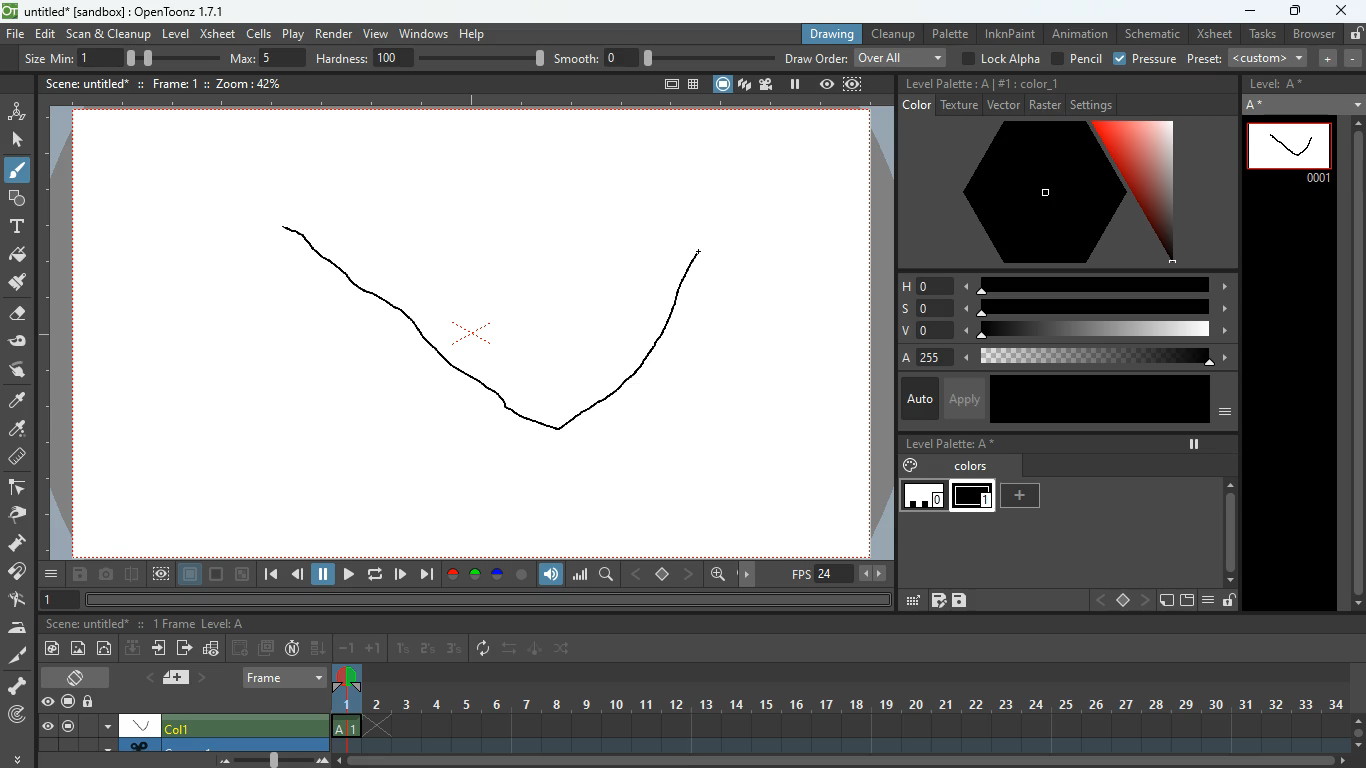 The image size is (1366, 768). Describe the element at coordinates (18, 256) in the screenshot. I see `fill` at that location.